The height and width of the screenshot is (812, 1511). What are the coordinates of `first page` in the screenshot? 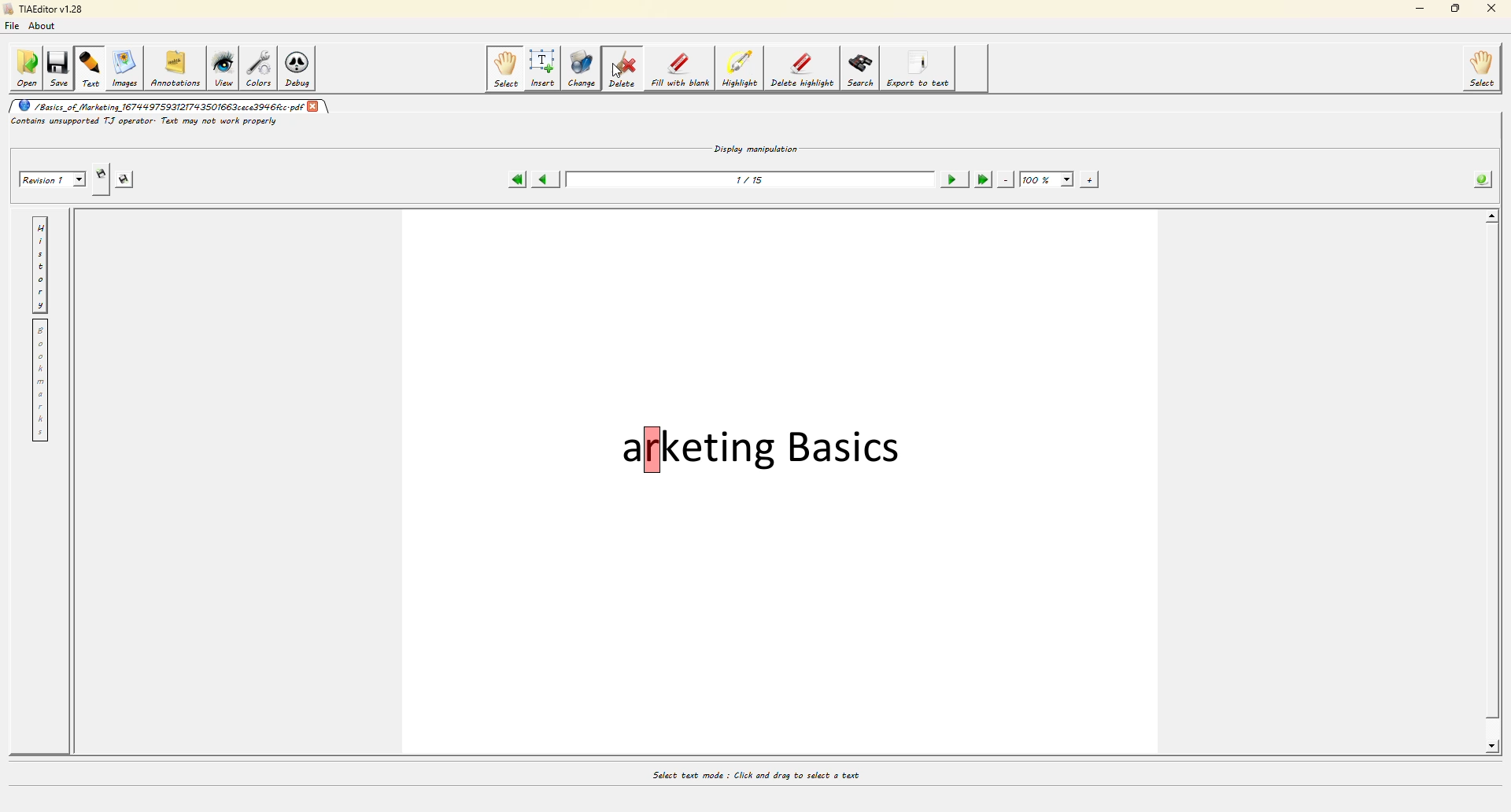 It's located at (517, 177).